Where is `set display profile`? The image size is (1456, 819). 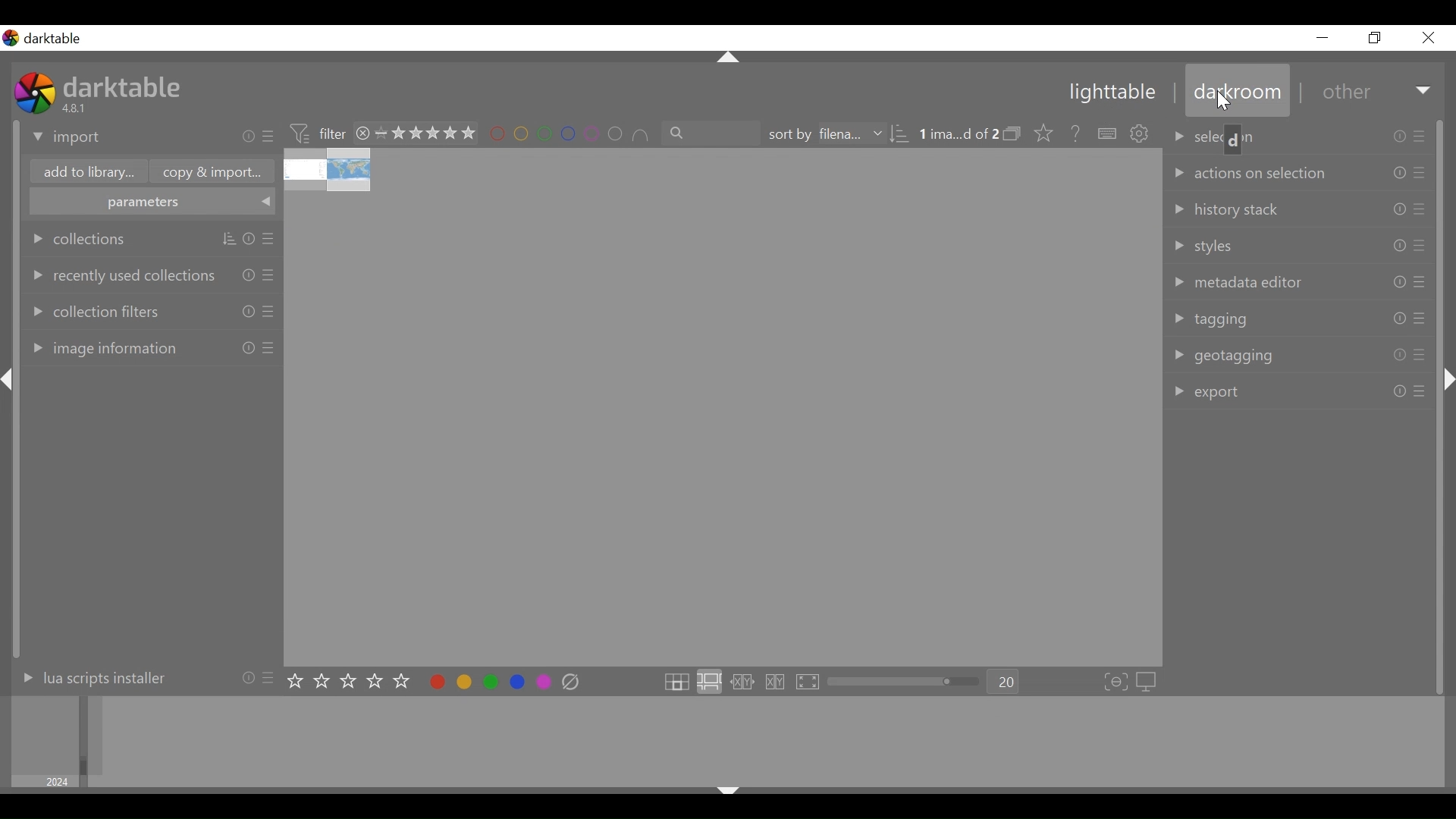
set display profile is located at coordinates (1150, 682).